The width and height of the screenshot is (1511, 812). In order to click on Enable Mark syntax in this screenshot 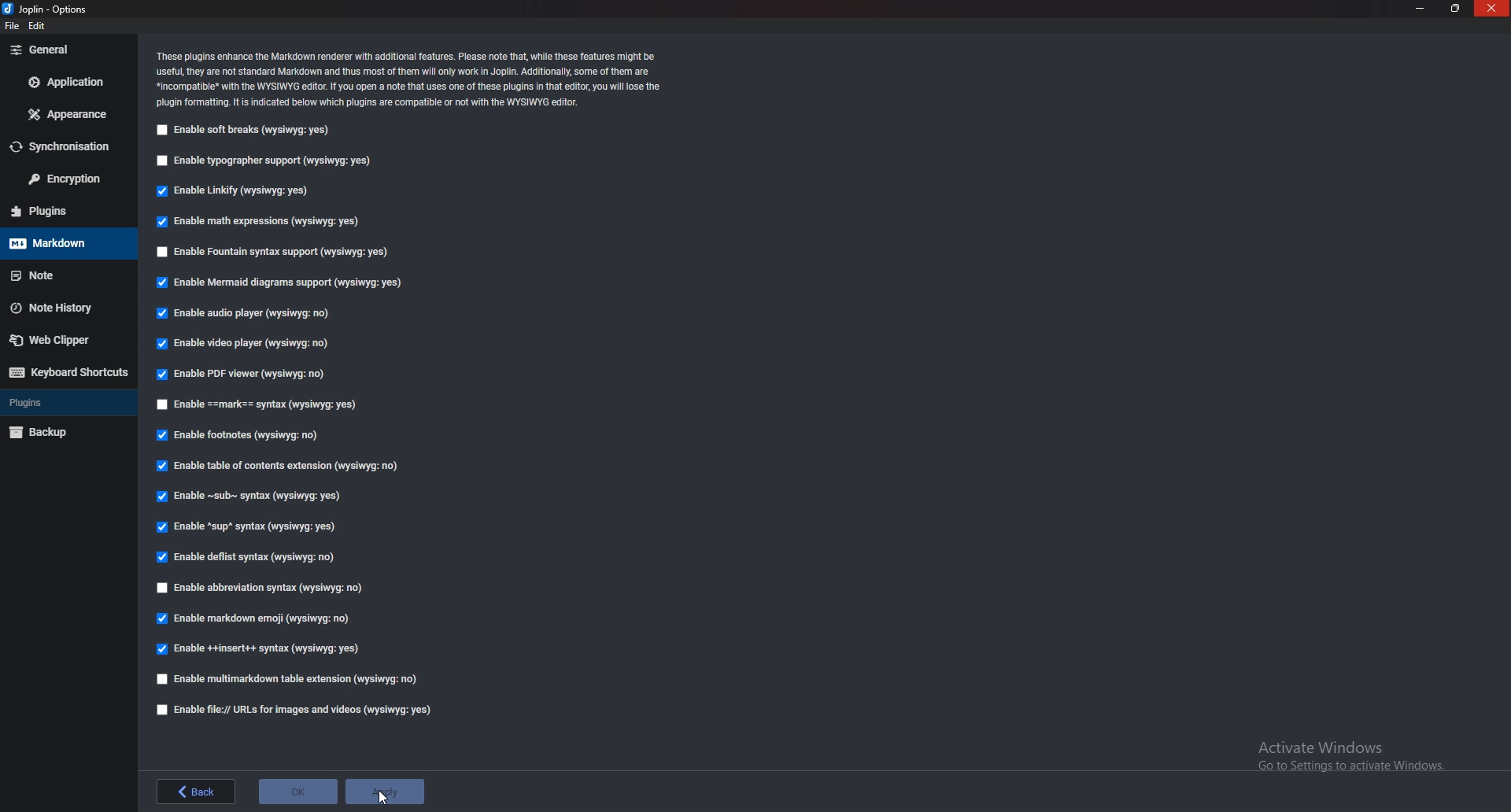, I will do `click(279, 404)`.